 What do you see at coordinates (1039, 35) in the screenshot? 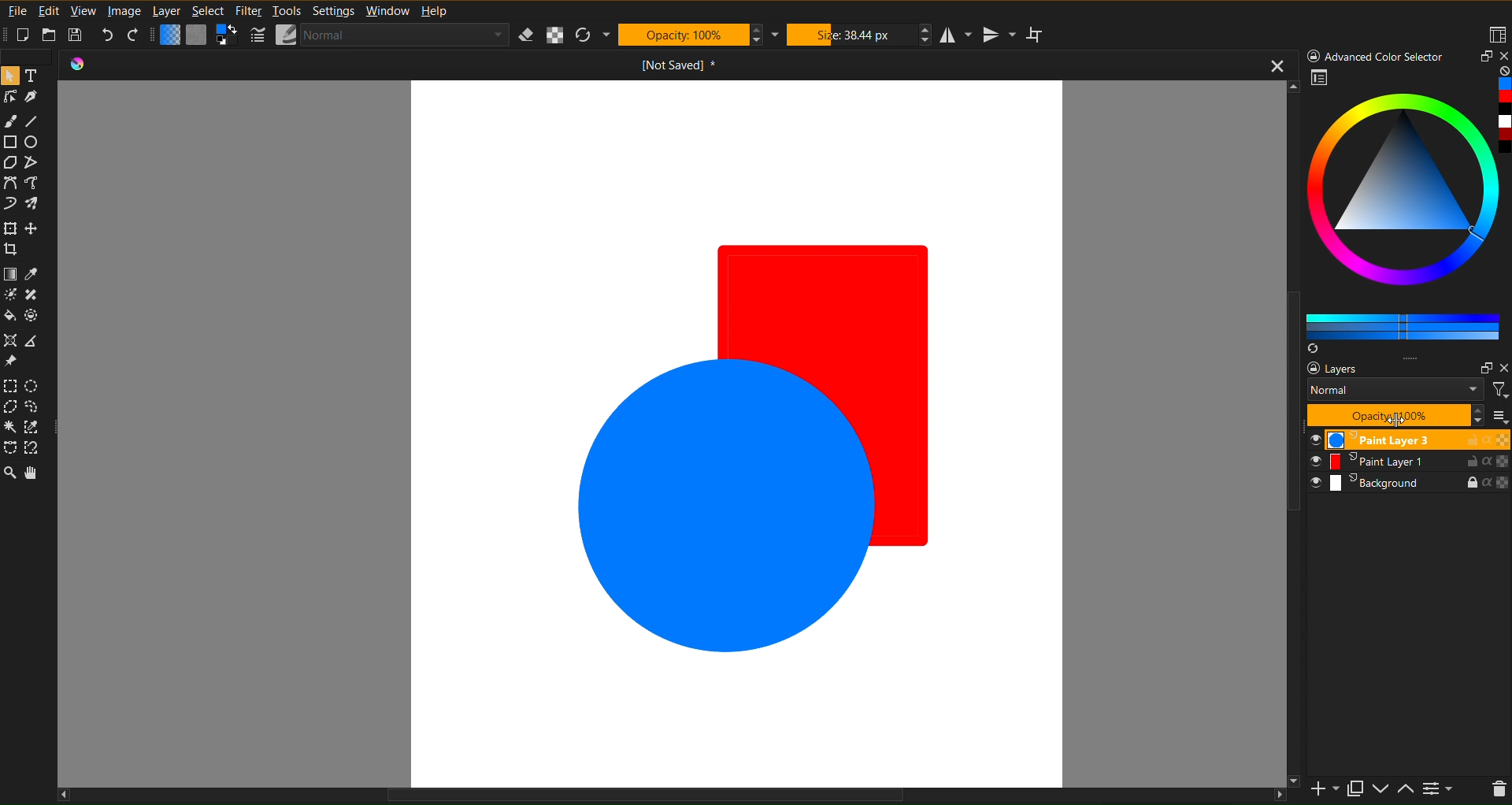
I see `Wrap Around Mode` at bounding box center [1039, 35].